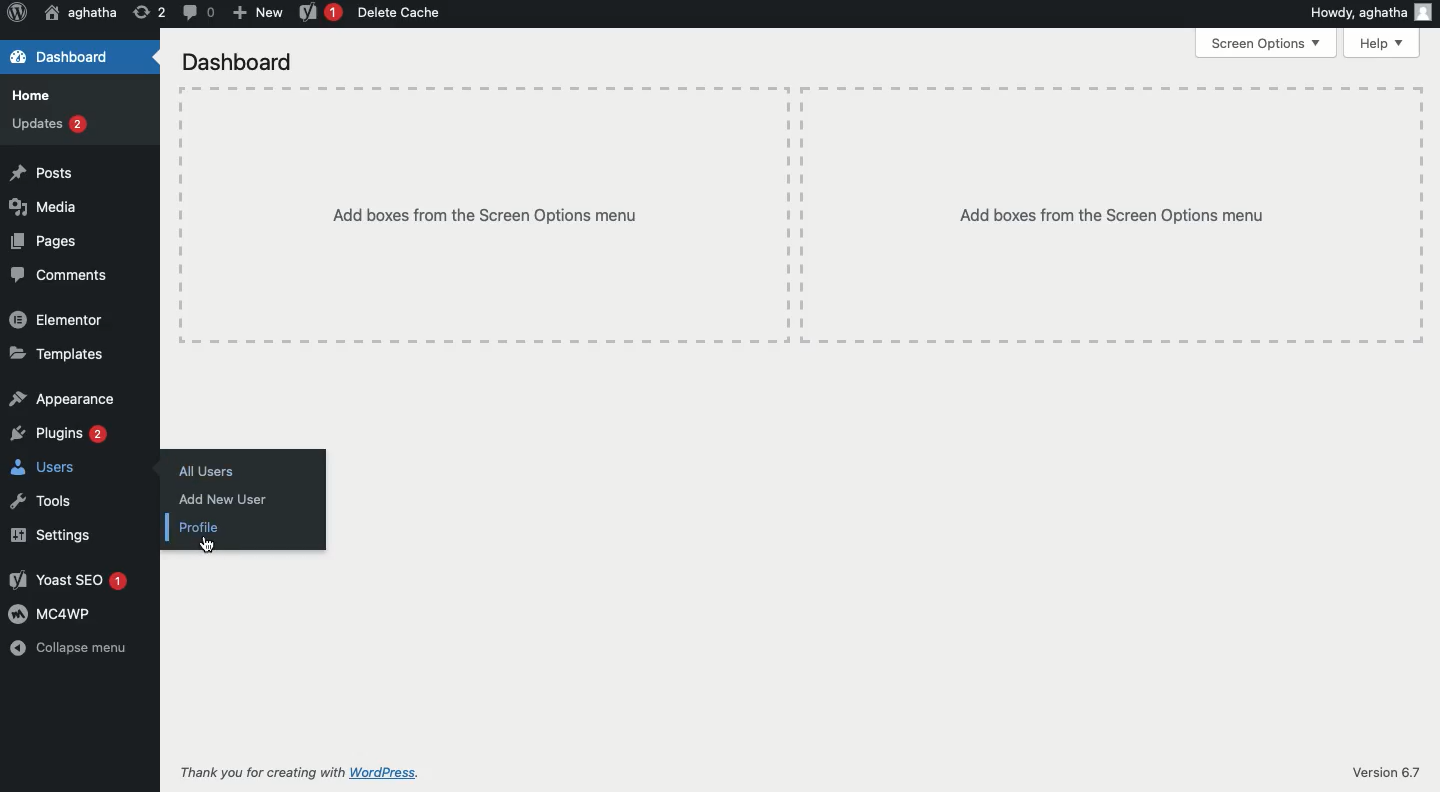 Image resolution: width=1440 pixels, height=792 pixels. I want to click on Settings, so click(48, 535).